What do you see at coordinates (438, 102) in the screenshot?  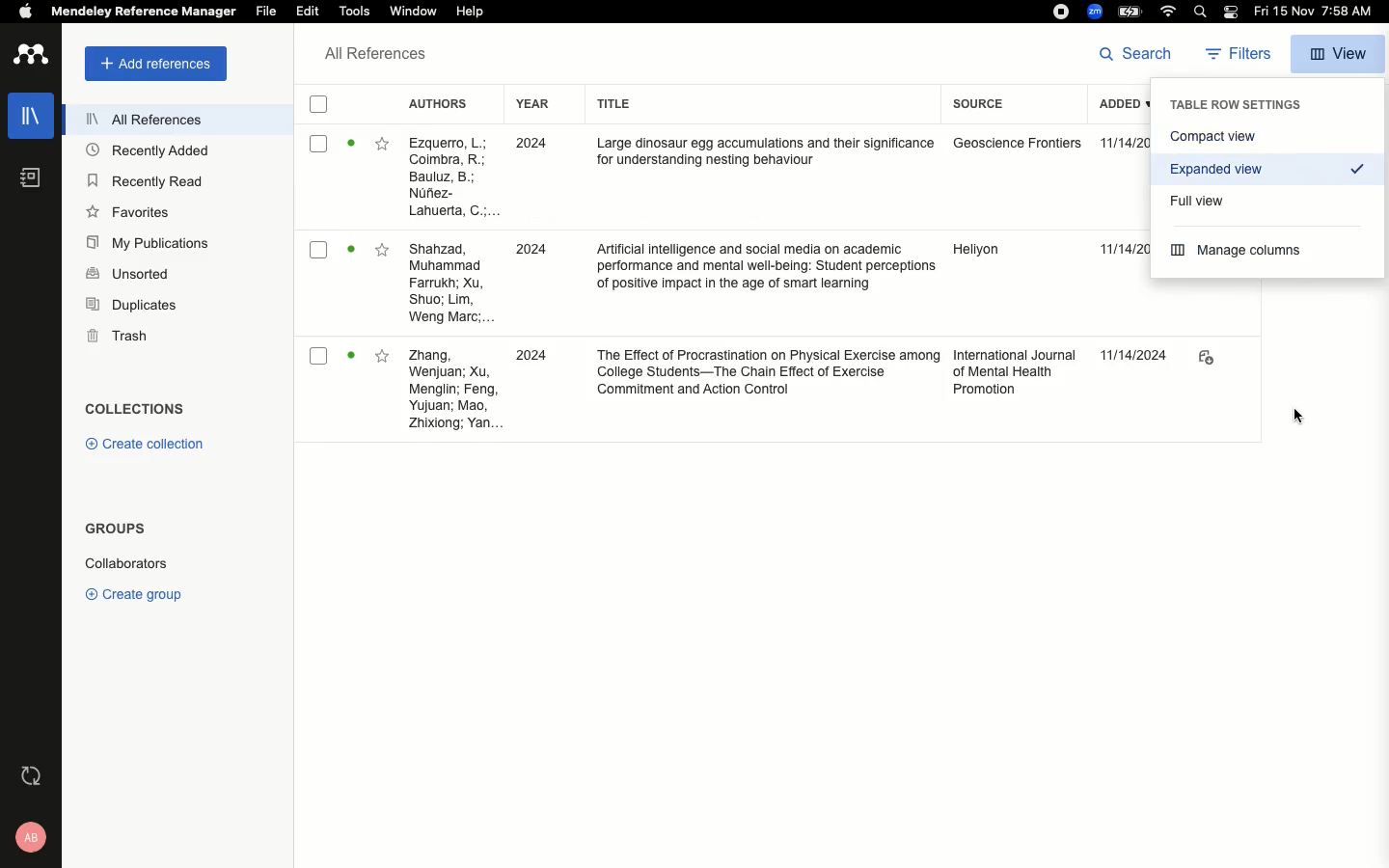 I see `Authors` at bounding box center [438, 102].